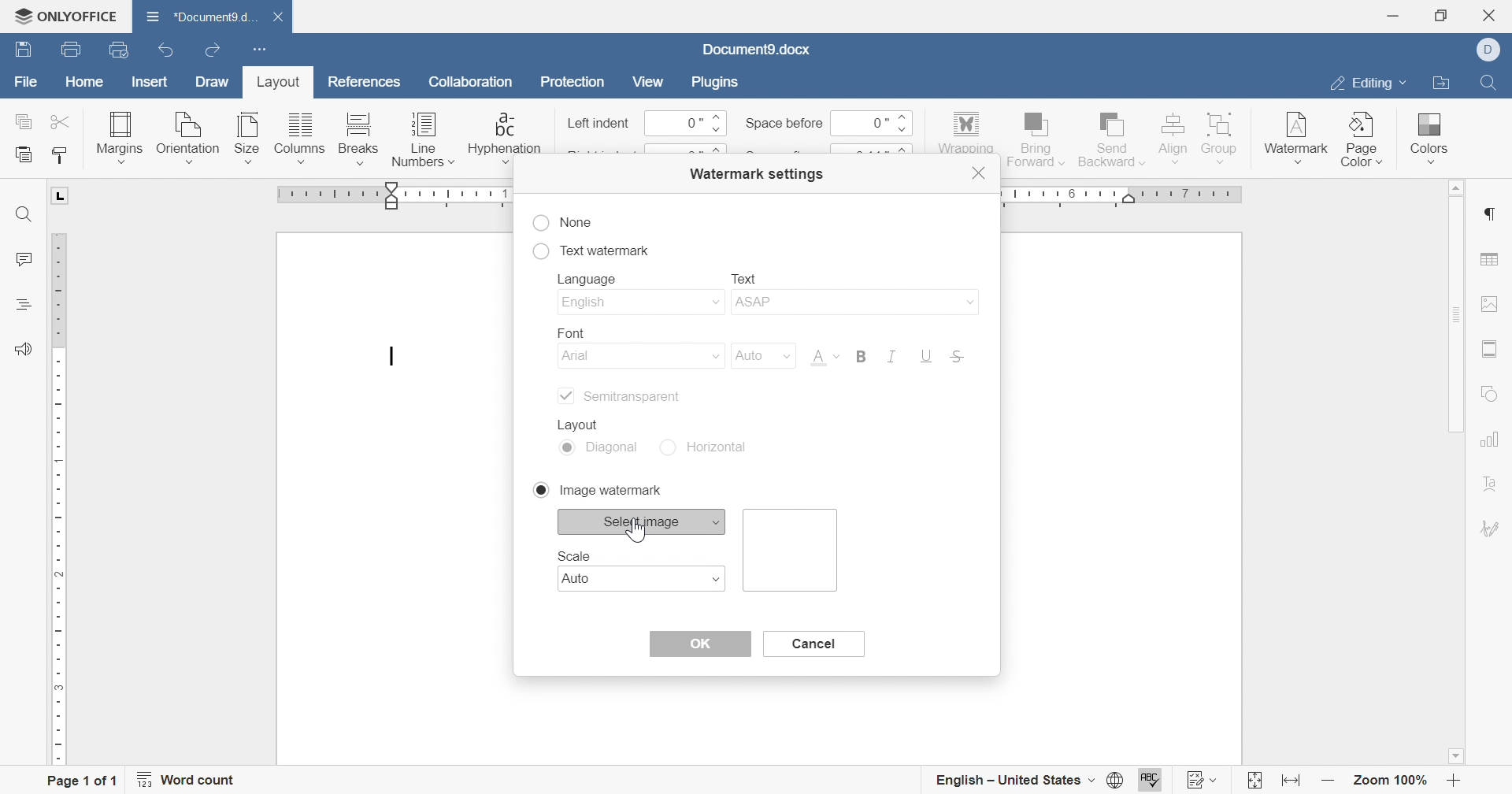  Describe the element at coordinates (23, 350) in the screenshot. I see `feedback and support` at that location.